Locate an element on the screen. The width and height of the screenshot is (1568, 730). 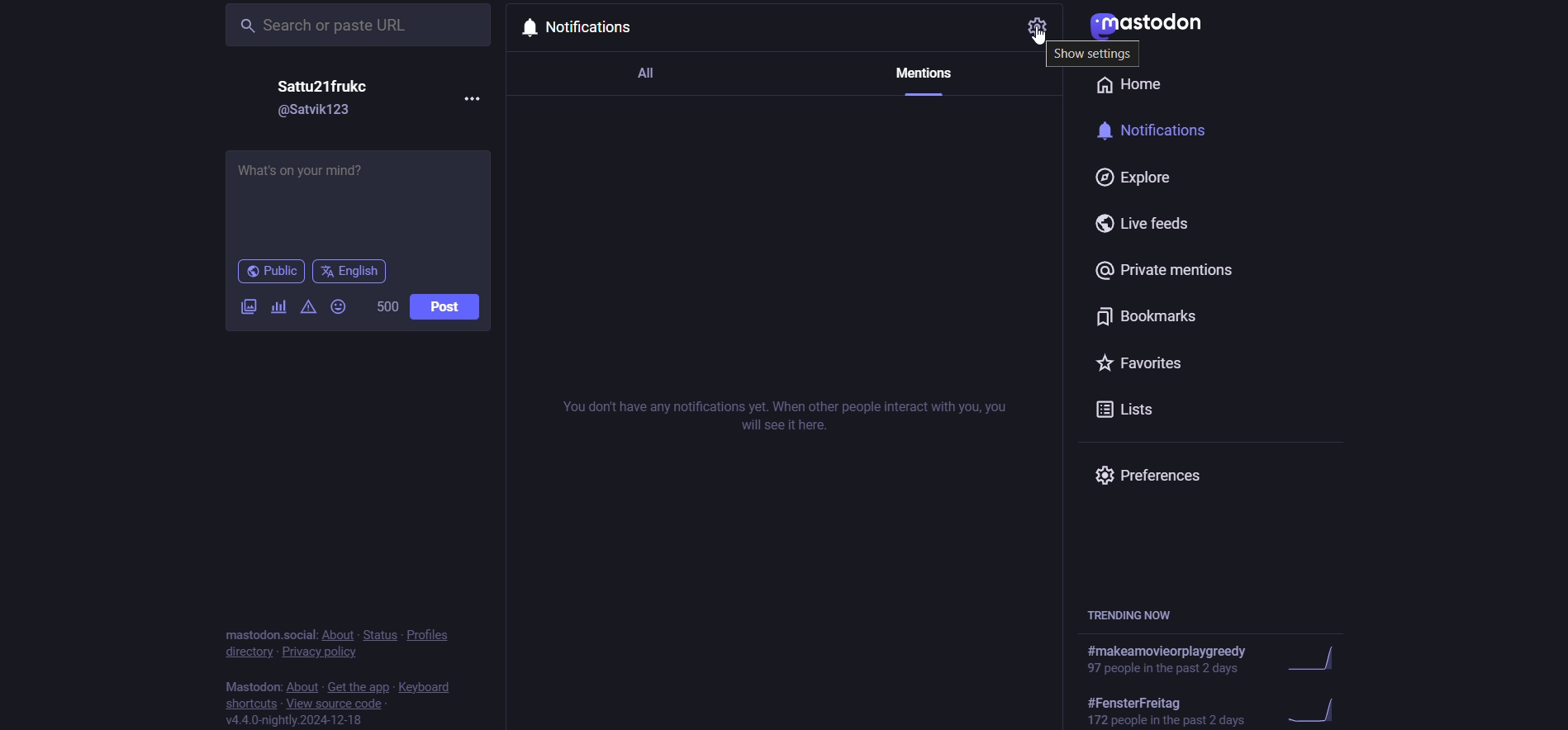
Explore is located at coordinates (1133, 178).